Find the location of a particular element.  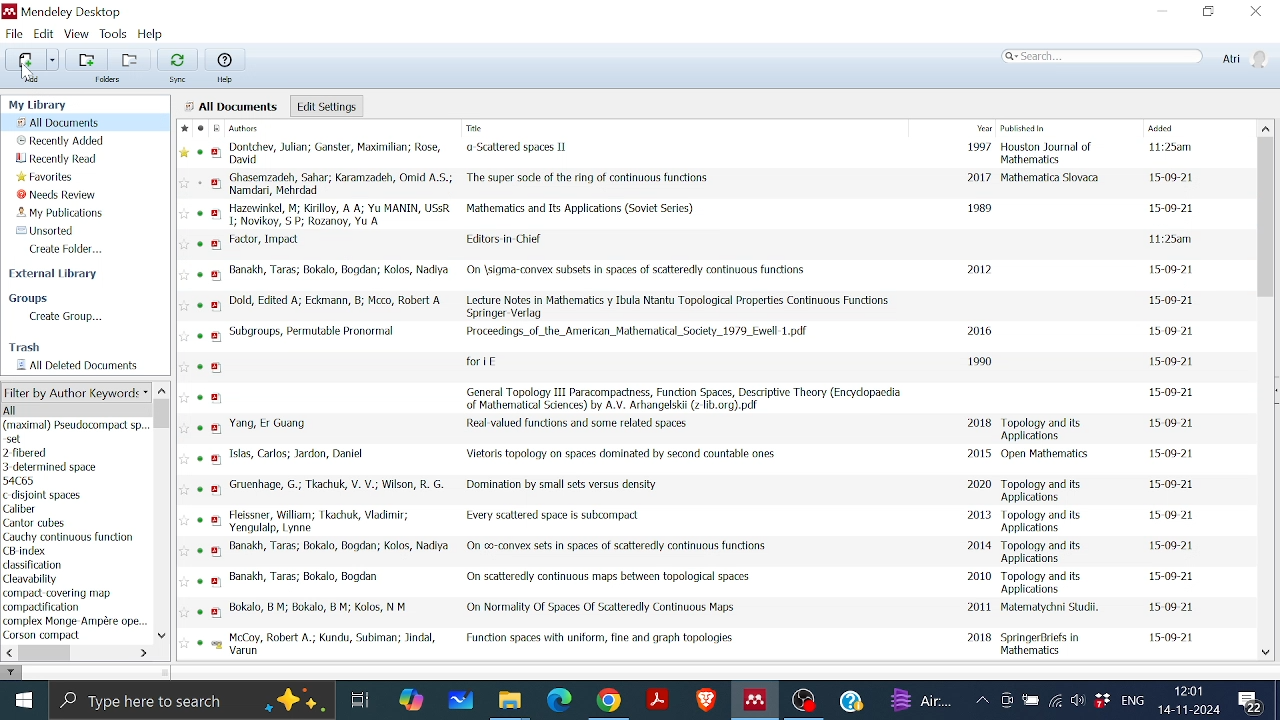

Favourite is located at coordinates (186, 306).